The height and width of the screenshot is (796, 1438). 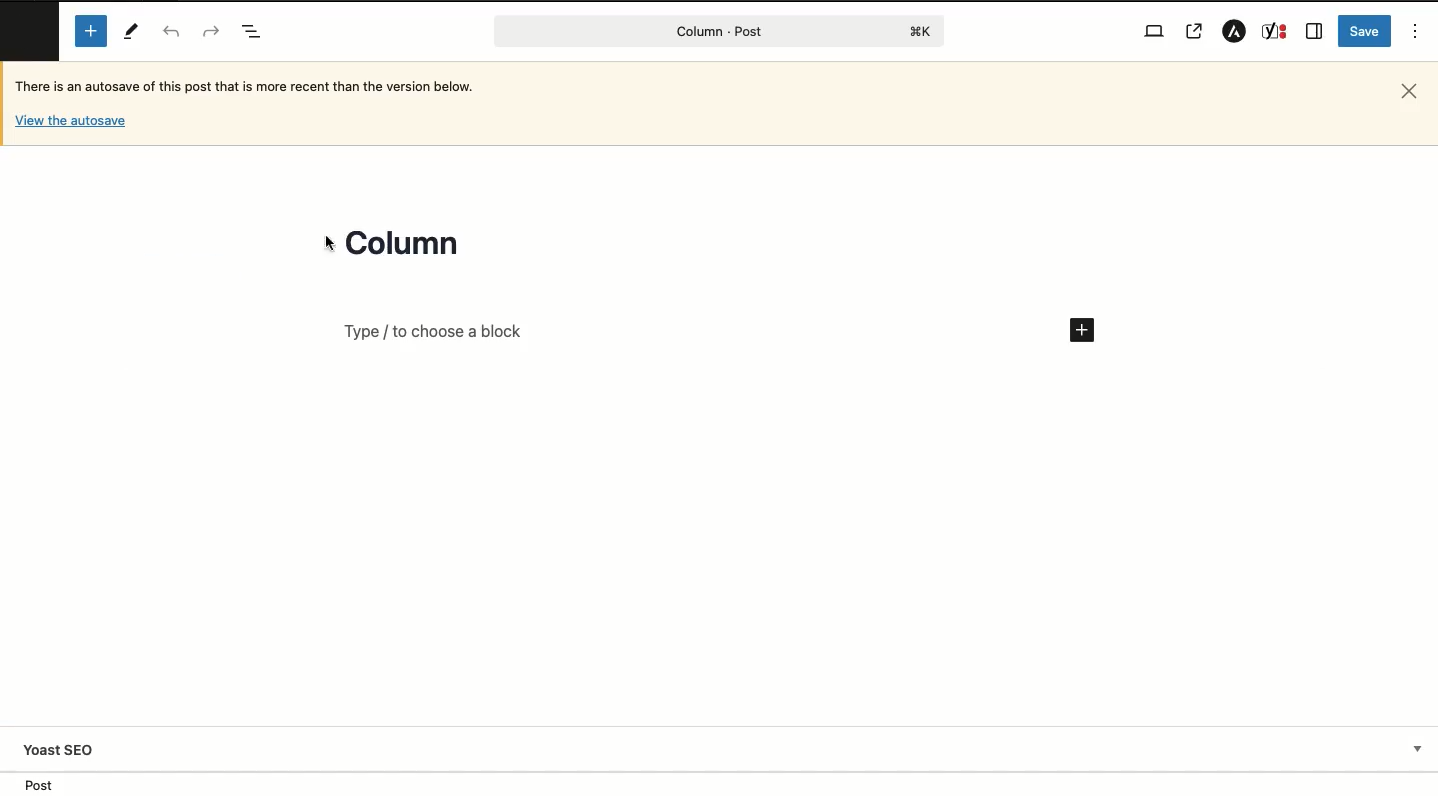 What do you see at coordinates (1417, 30) in the screenshot?
I see `Options` at bounding box center [1417, 30].